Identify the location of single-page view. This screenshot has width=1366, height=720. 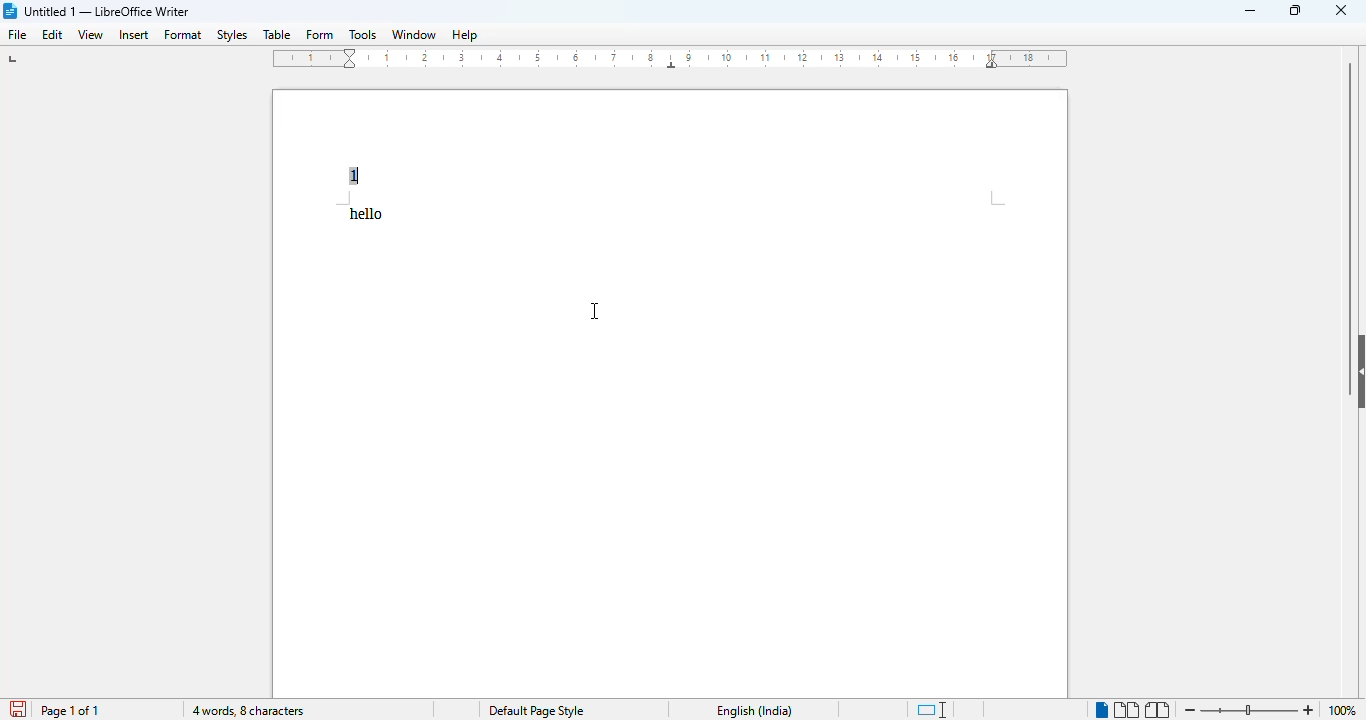
(1101, 709).